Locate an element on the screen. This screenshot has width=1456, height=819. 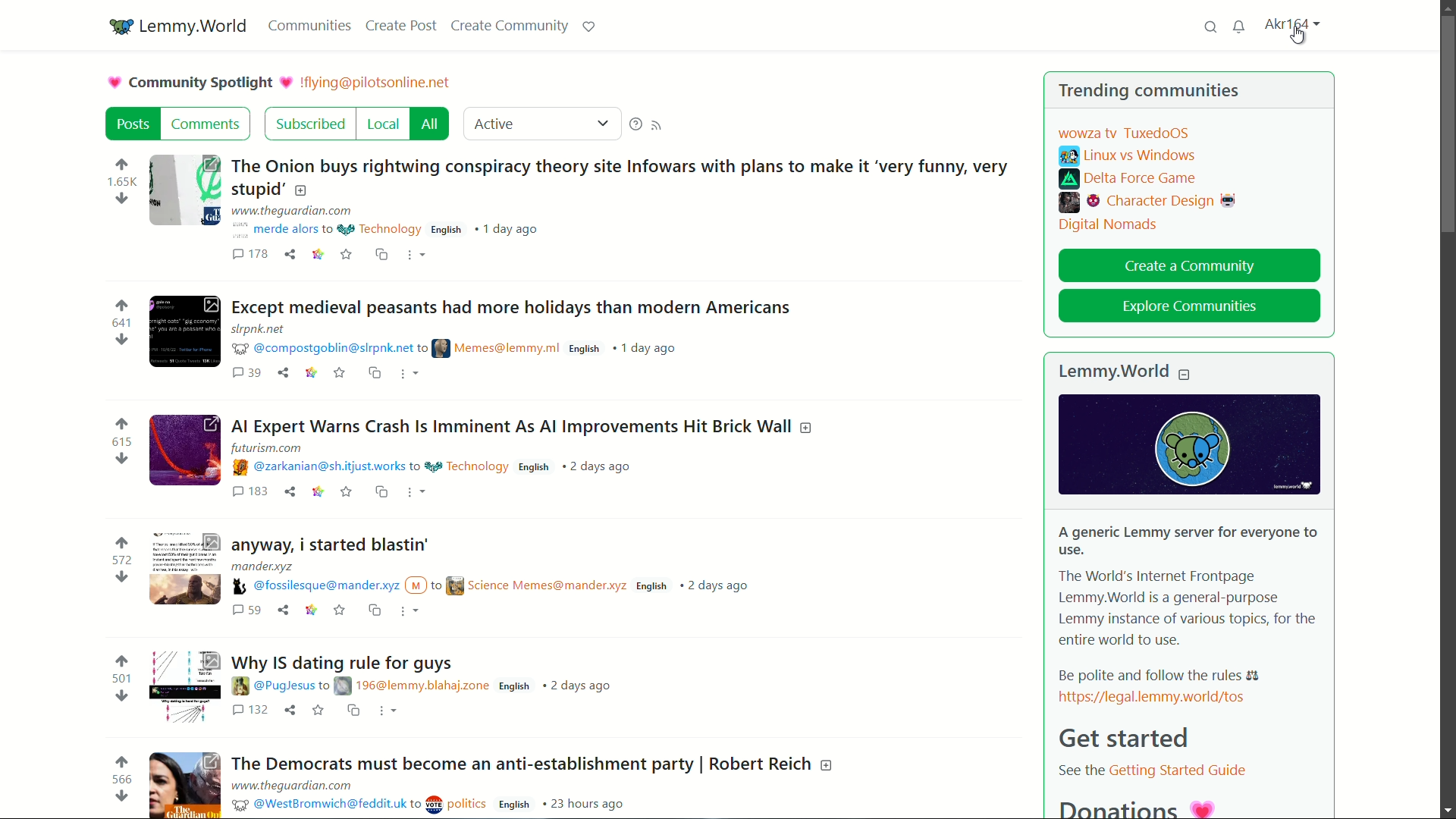
cross share is located at coordinates (378, 253).